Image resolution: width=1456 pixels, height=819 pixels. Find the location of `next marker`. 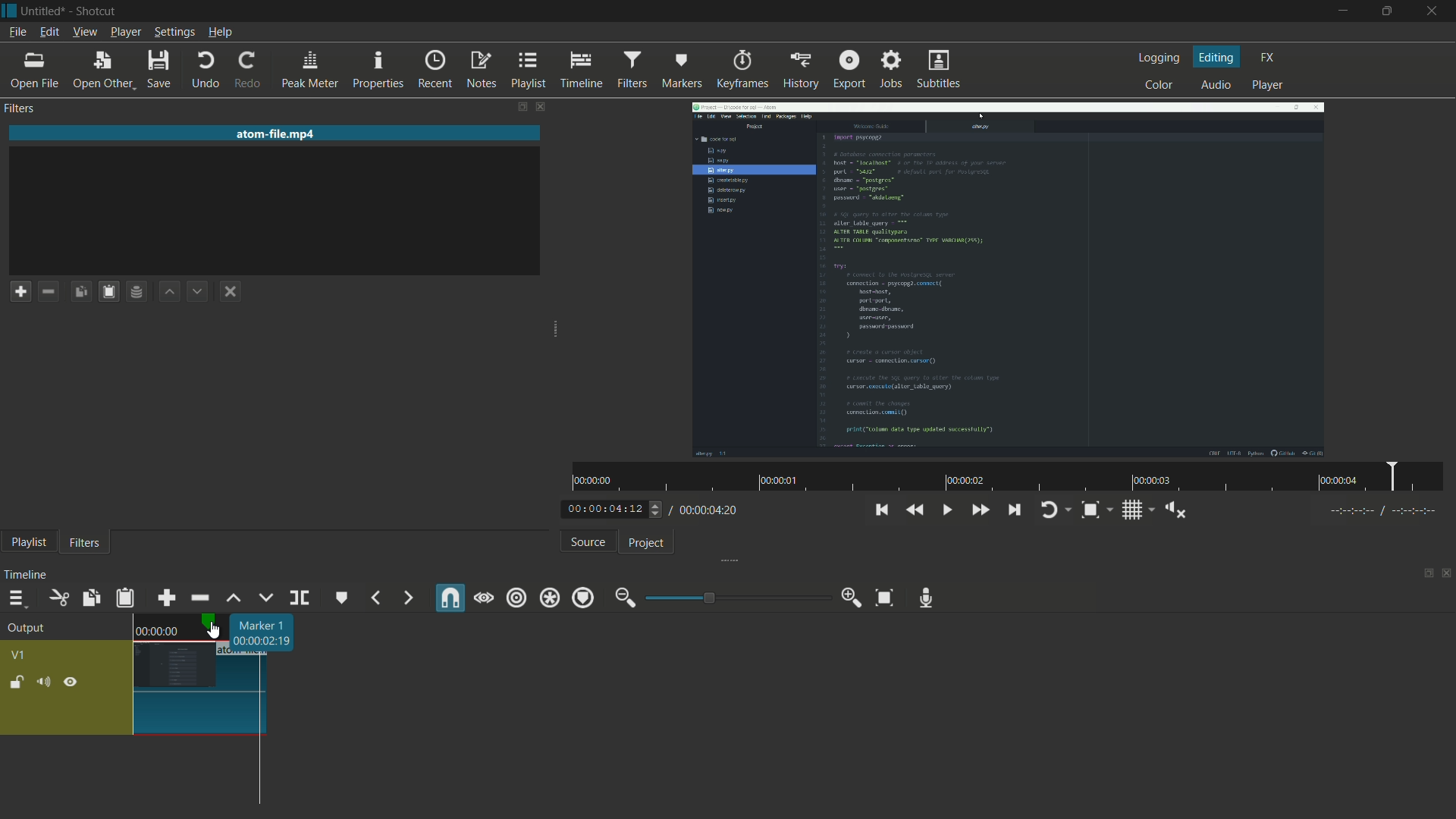

next marker is located at coordinates (408, 598).